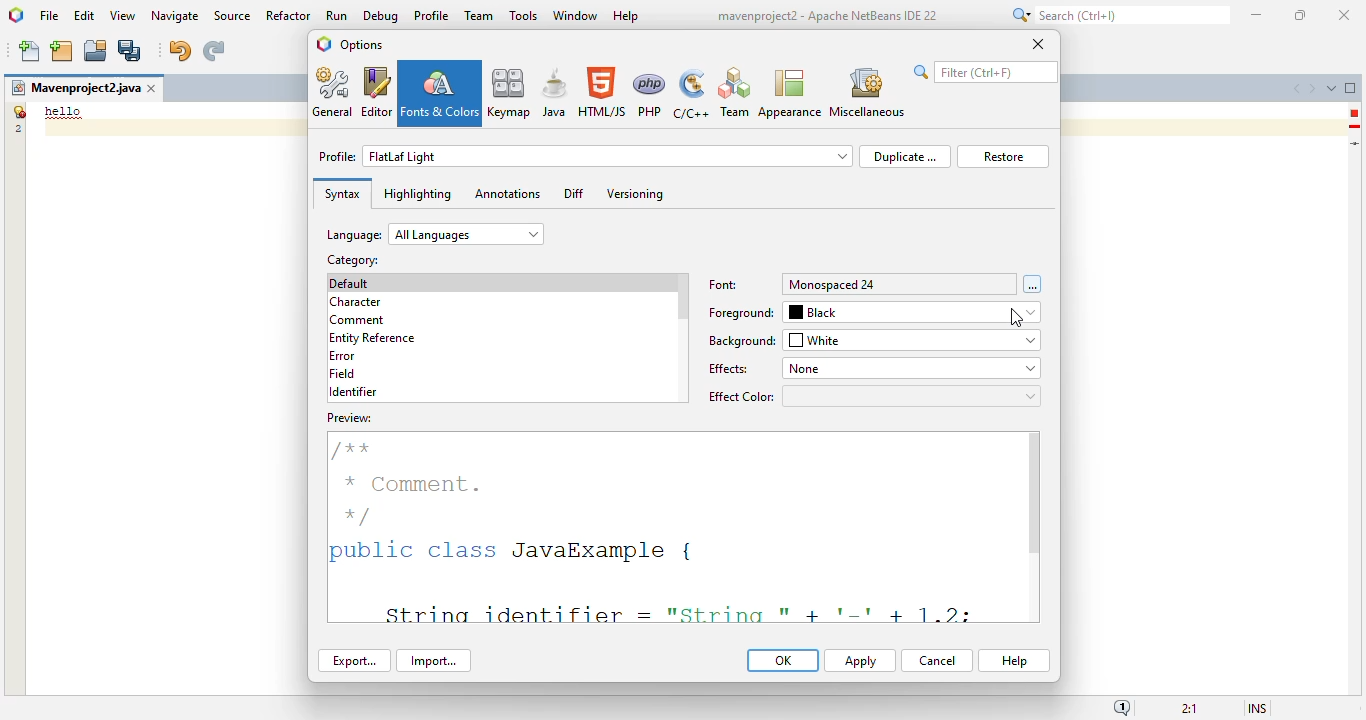  I want to click on character, so click(355, 302).